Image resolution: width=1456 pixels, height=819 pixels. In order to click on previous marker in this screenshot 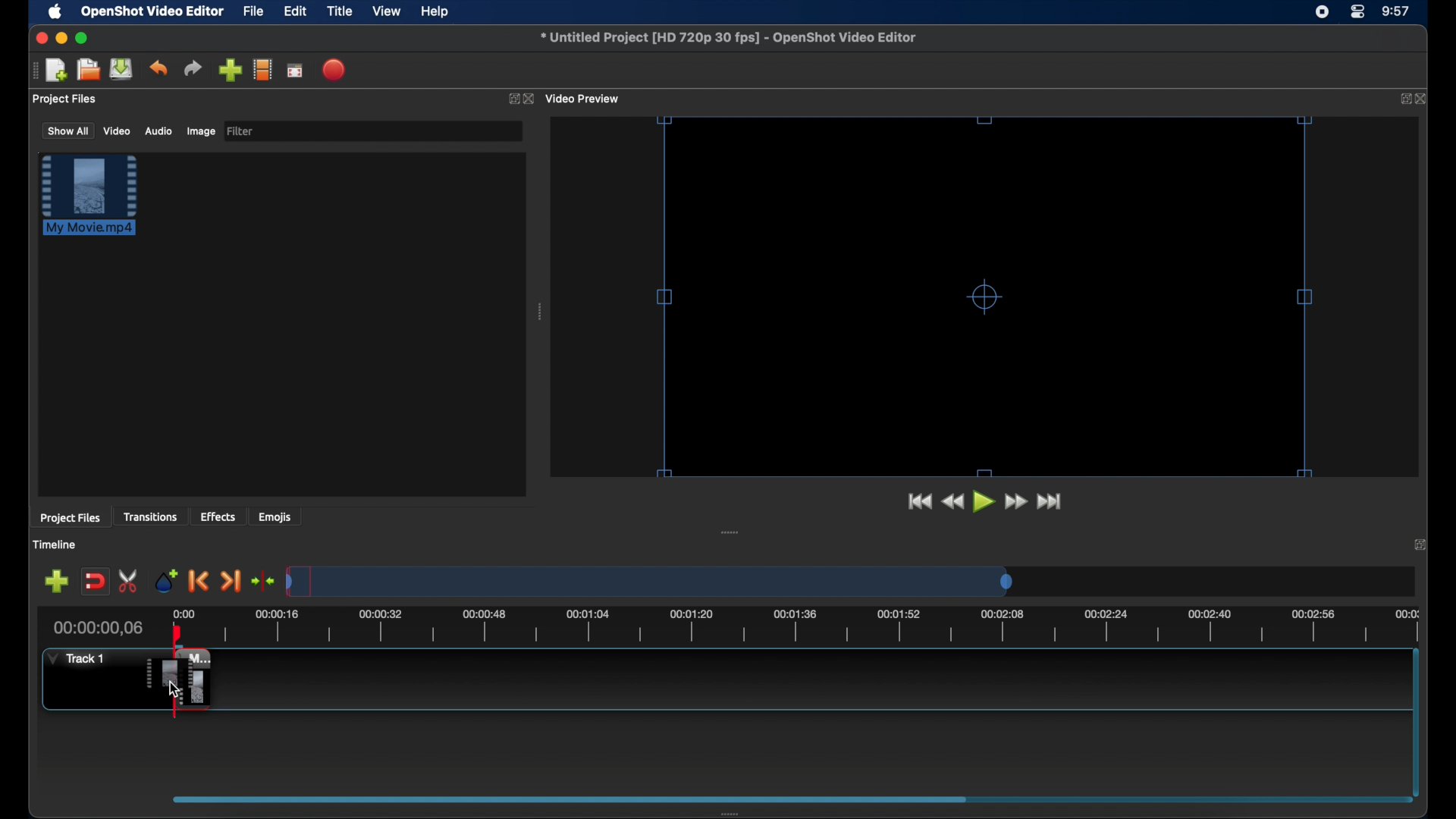, I will do `click(199, 581)`.